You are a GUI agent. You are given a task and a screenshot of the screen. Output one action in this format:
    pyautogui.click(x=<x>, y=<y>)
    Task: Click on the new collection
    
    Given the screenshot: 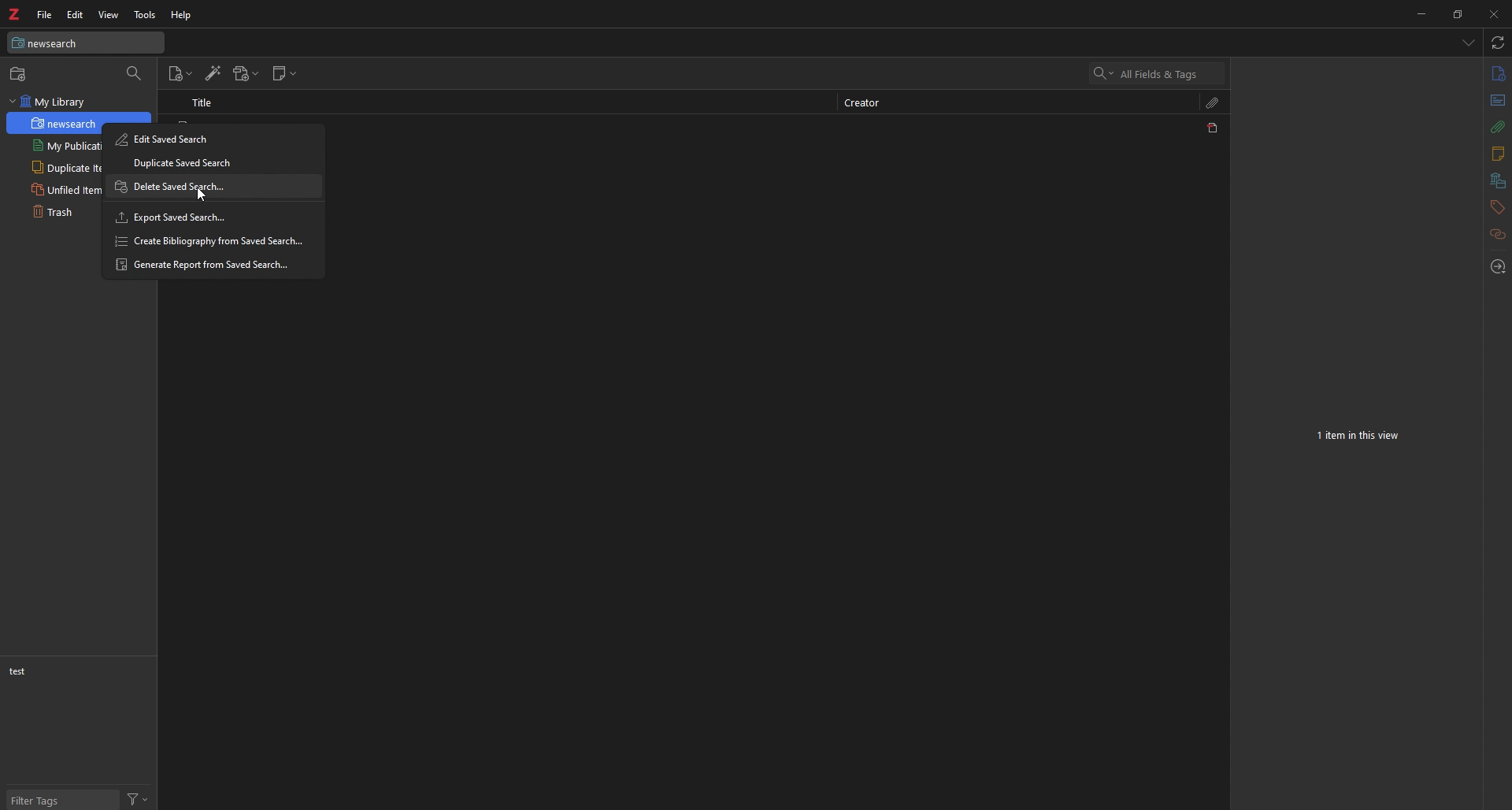 What is the action you would take?
    pyautogui.click(x=19, y=74)
    